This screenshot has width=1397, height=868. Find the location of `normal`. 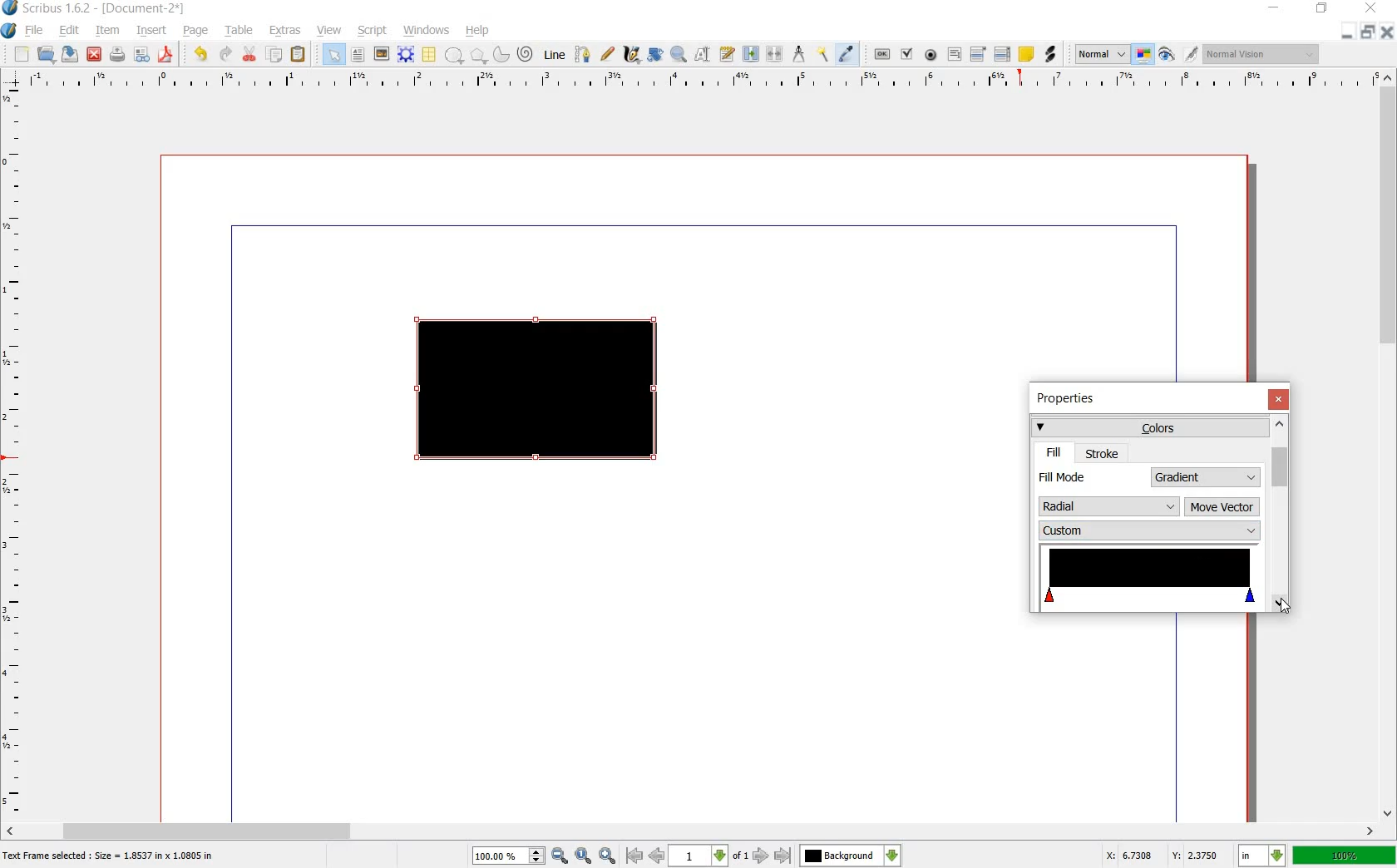

normal is located at coordinates (1102, 55).